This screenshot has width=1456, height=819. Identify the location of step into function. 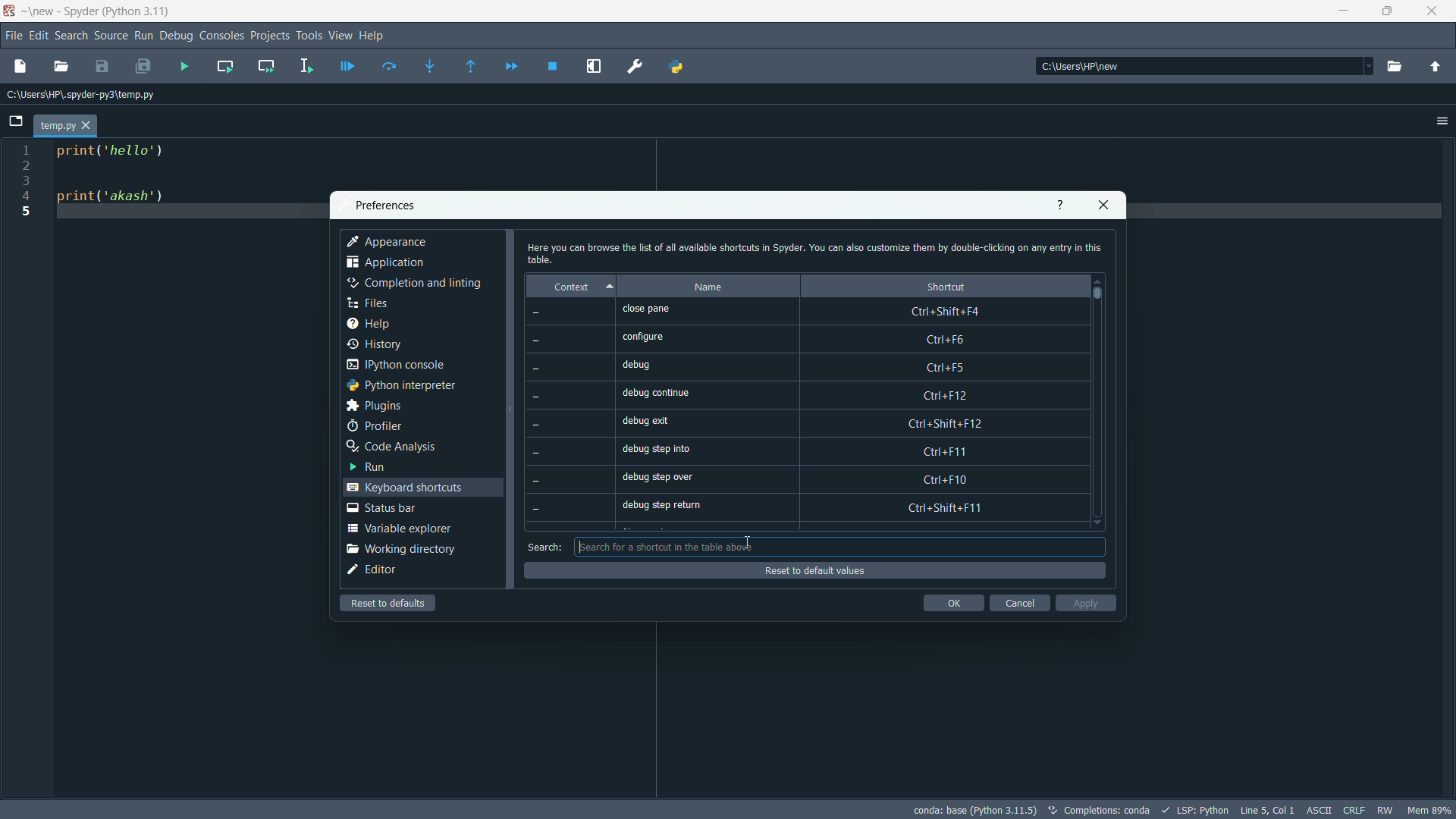
(431, 64).